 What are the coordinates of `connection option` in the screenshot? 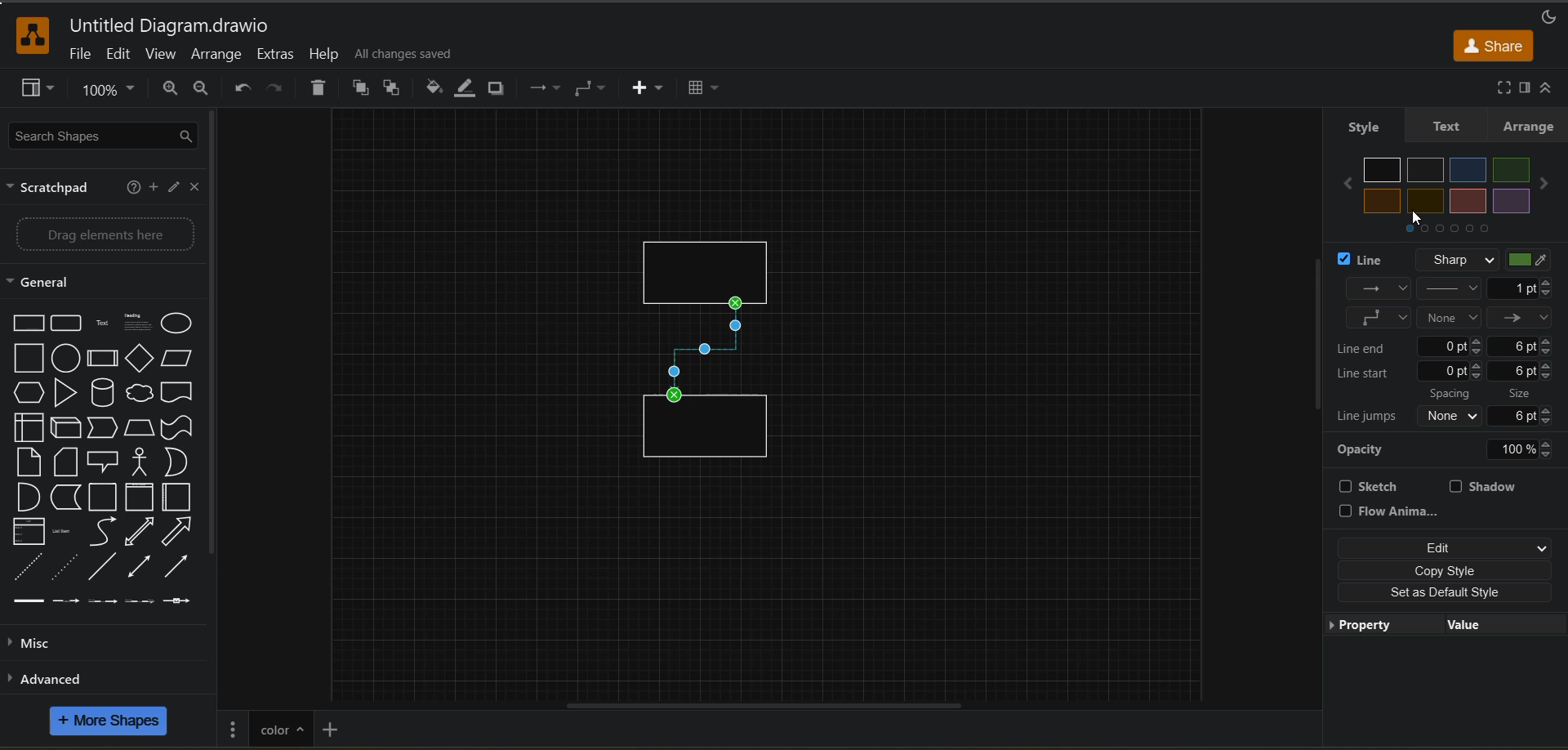 It's located at (1450, 303).